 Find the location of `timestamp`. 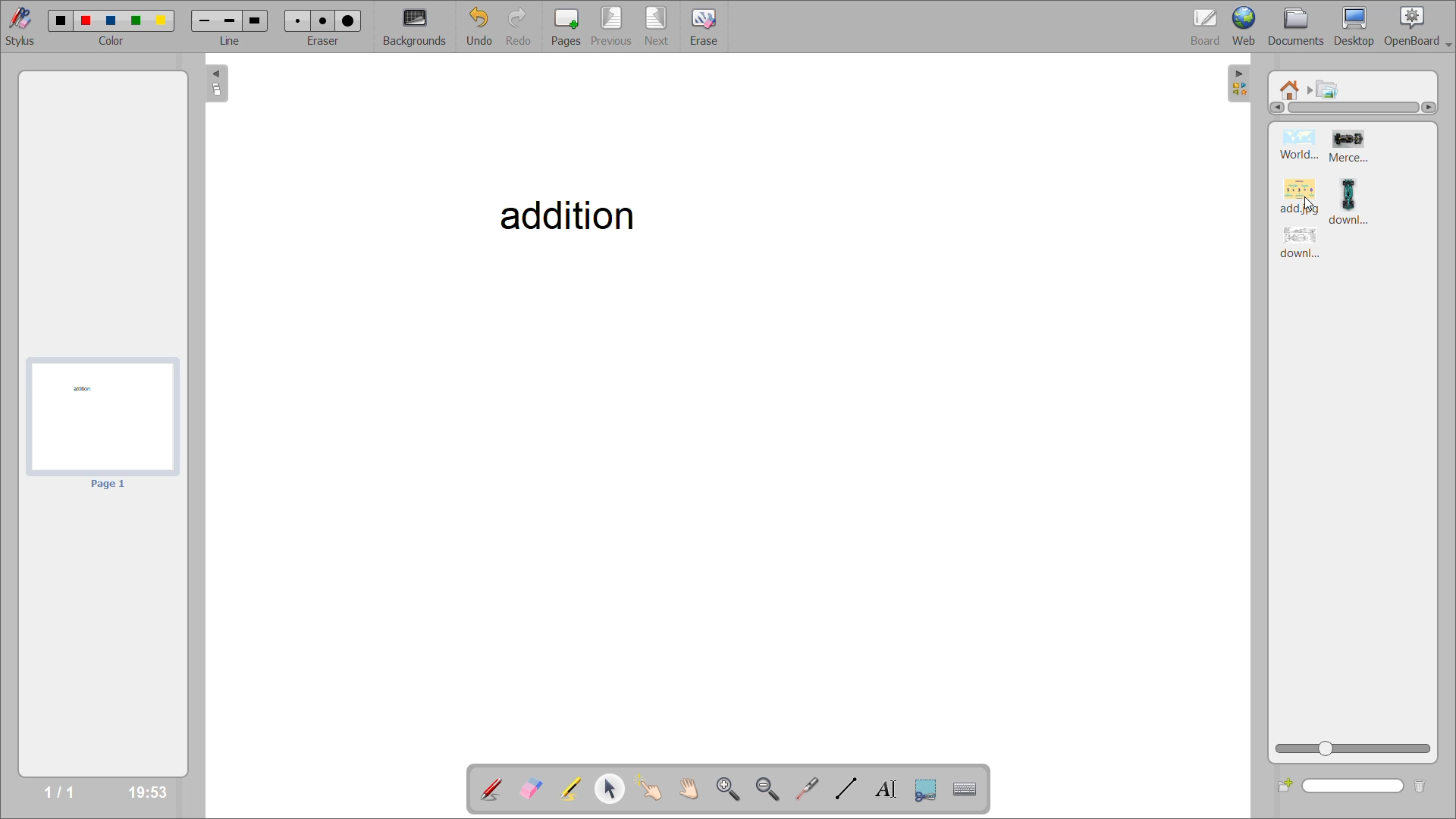

timestamp is located at coordinates (149, 789).